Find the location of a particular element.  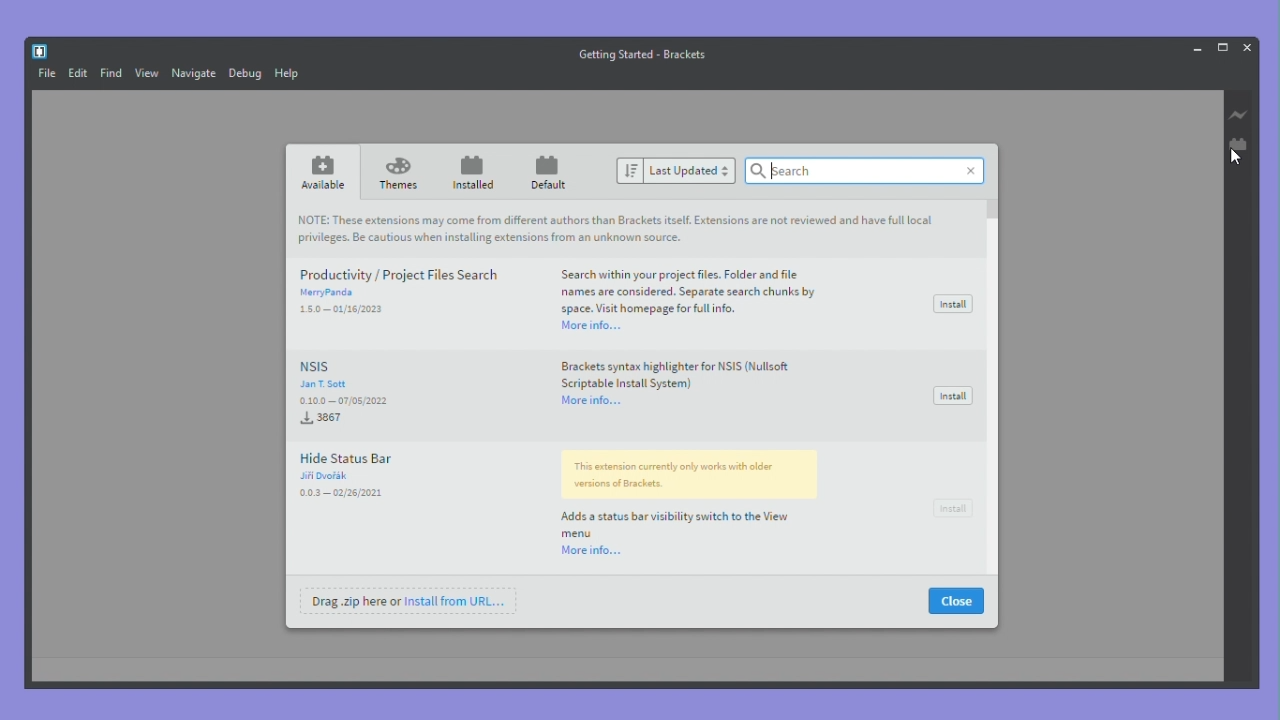

Search within your project files, folders and file folders is located at coordinates (689, 290).